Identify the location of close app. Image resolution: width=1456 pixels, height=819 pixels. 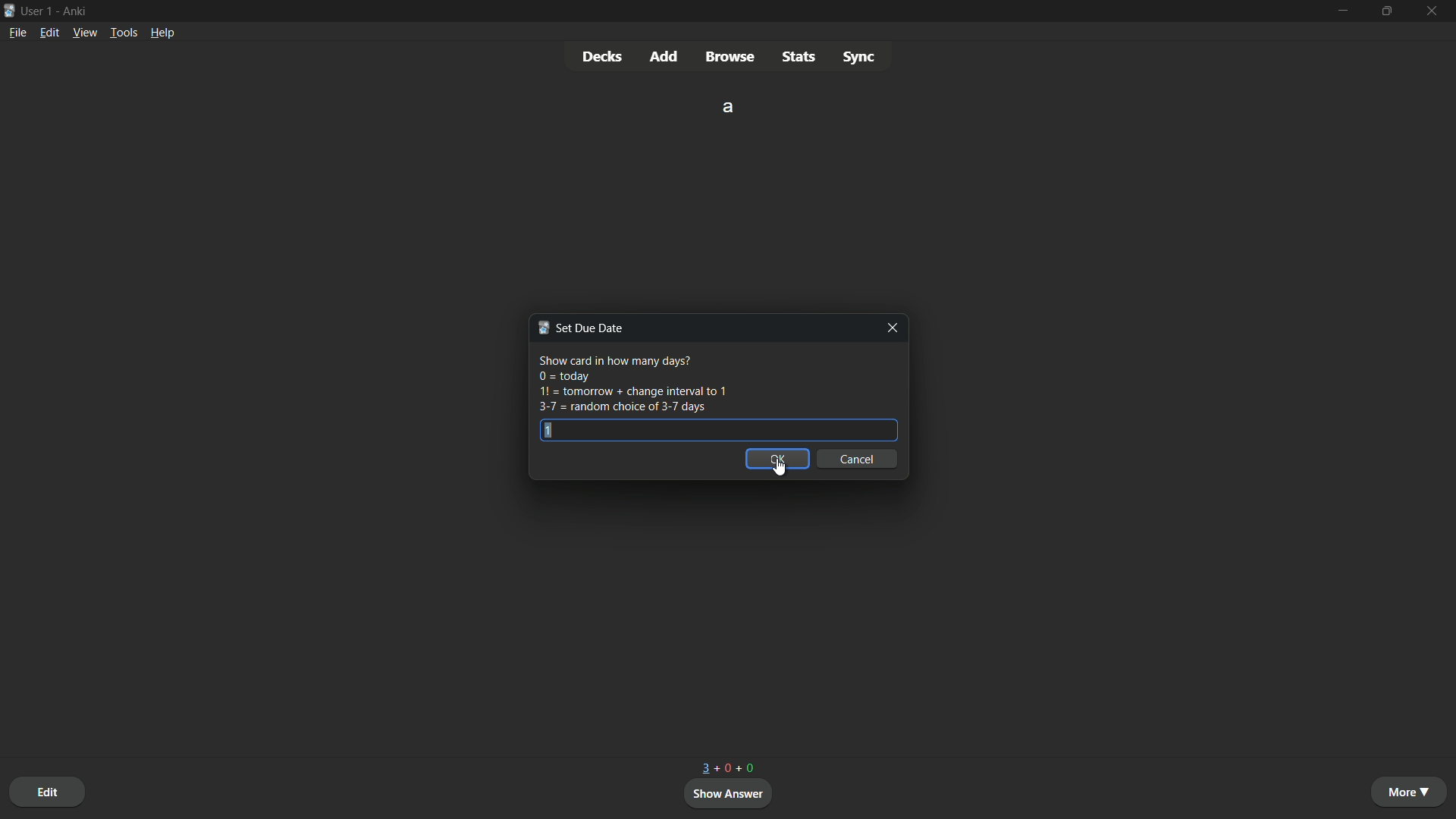
(1435, 11).